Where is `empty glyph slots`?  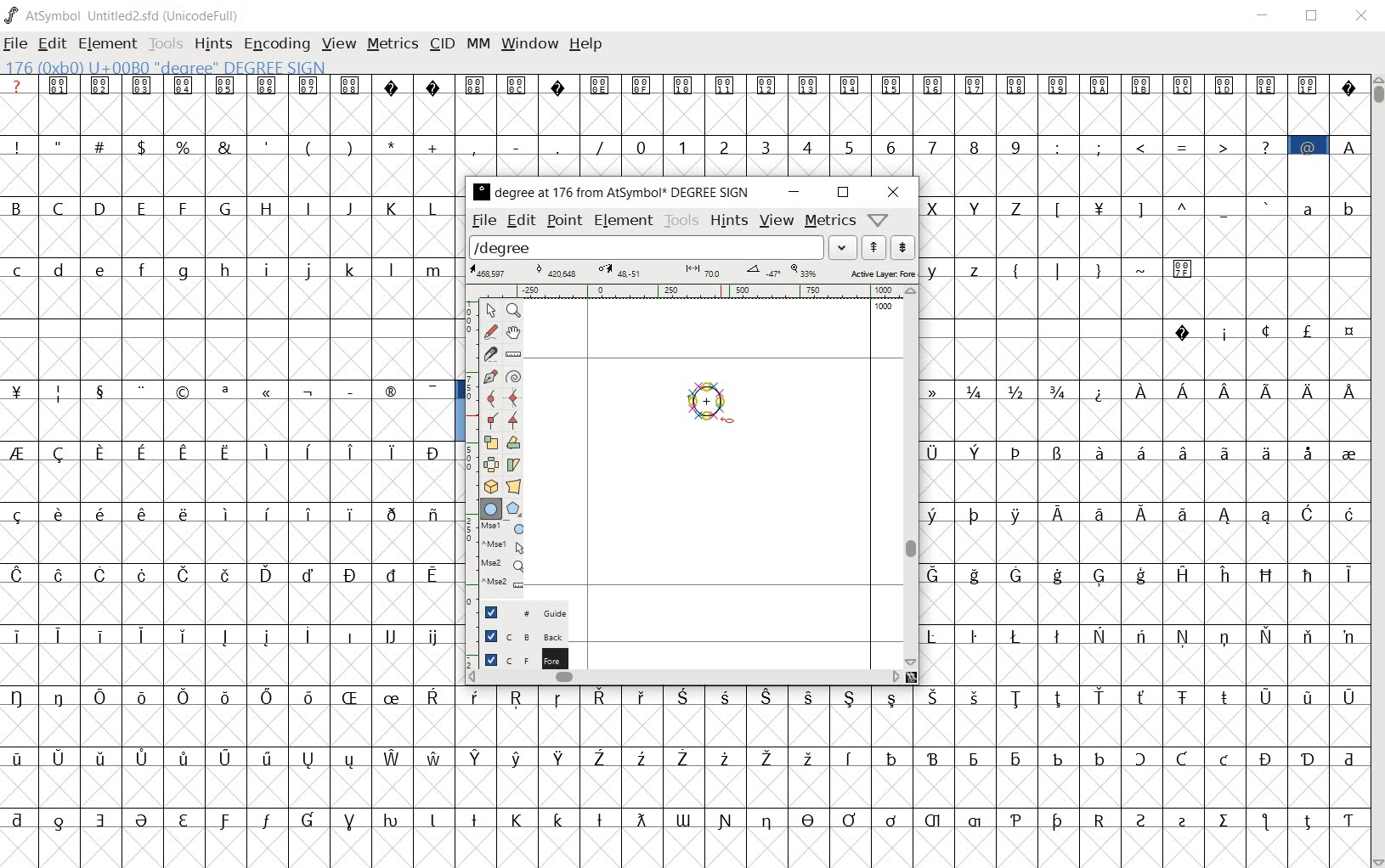 empty glyph slots is located at coordinates (229, 178).